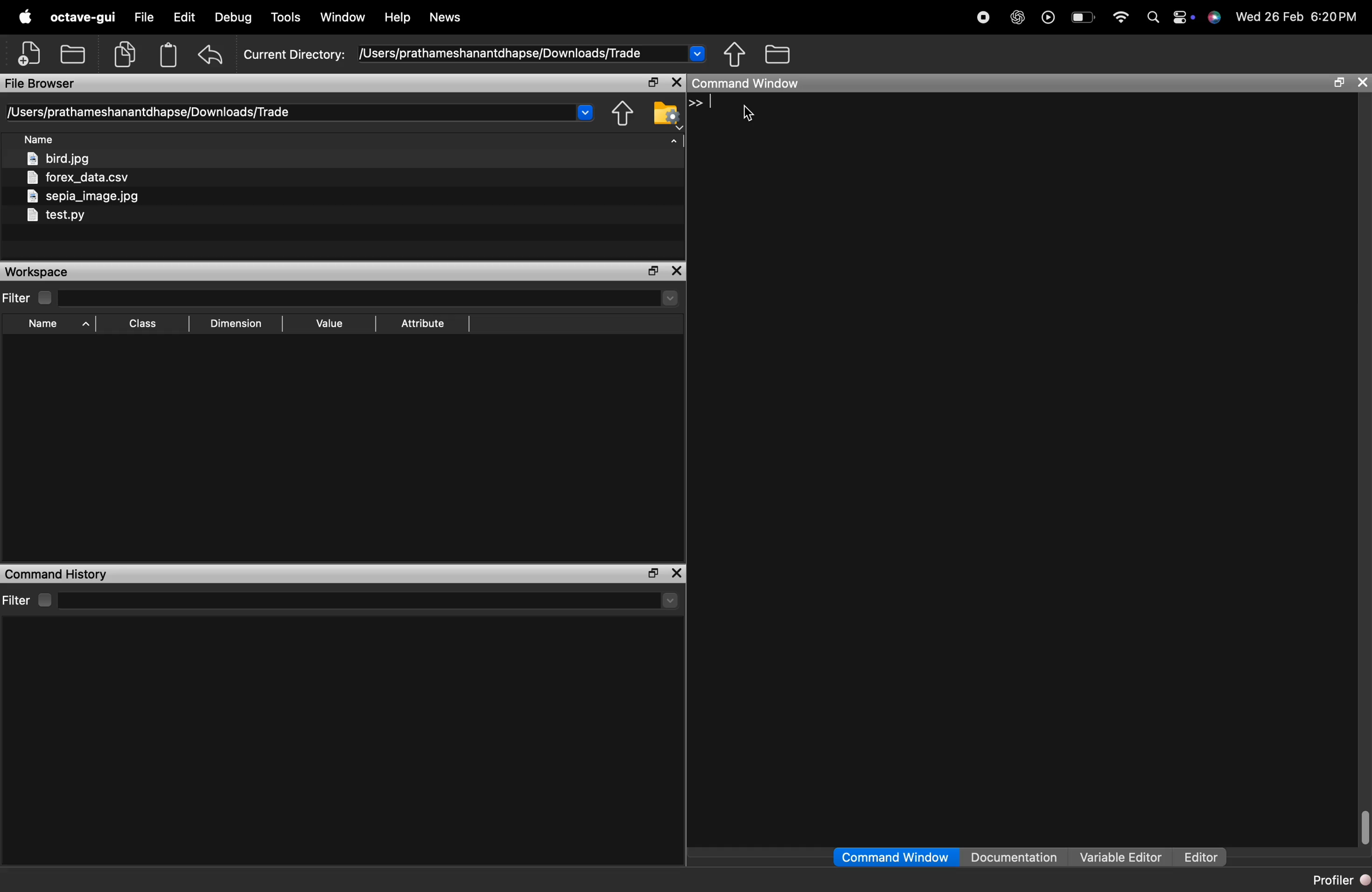 This screenshot has width=1372, height=892. I want to click on Window, so click(342, 17).